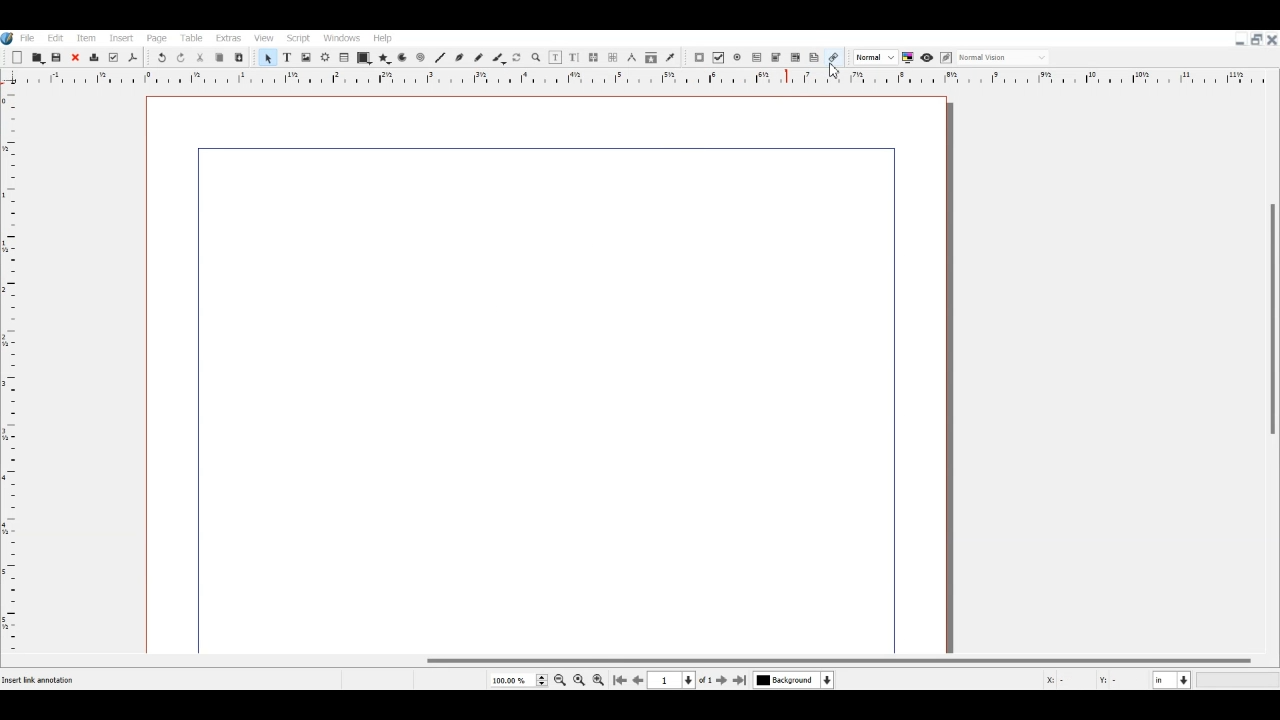  I want to click on Horizontal Scroll bar, so click(640, 661).